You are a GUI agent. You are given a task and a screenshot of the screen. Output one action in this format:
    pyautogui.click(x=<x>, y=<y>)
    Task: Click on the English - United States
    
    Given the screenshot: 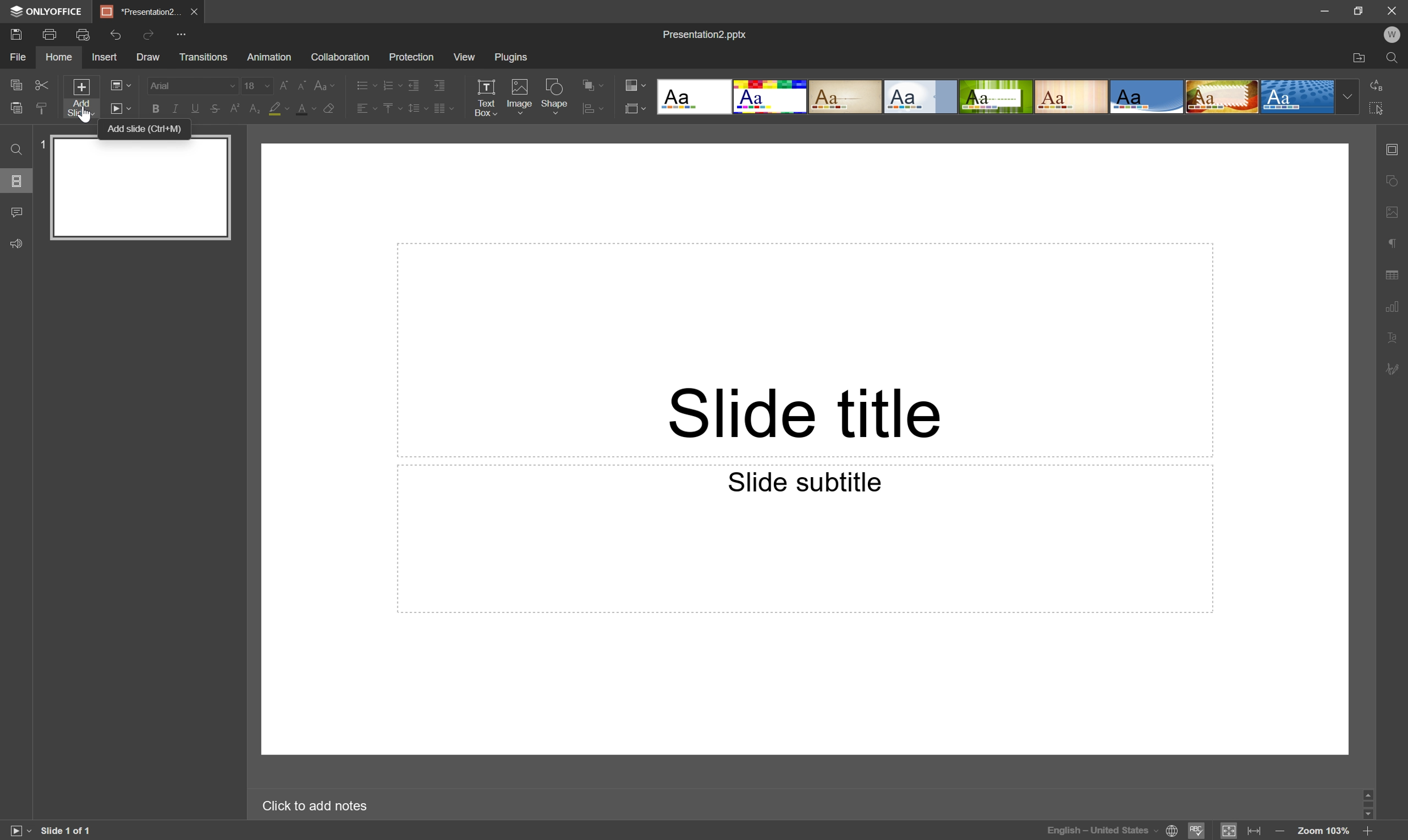 What is the action you would take?
    pyautogui.click(x=1100, y=833)
    